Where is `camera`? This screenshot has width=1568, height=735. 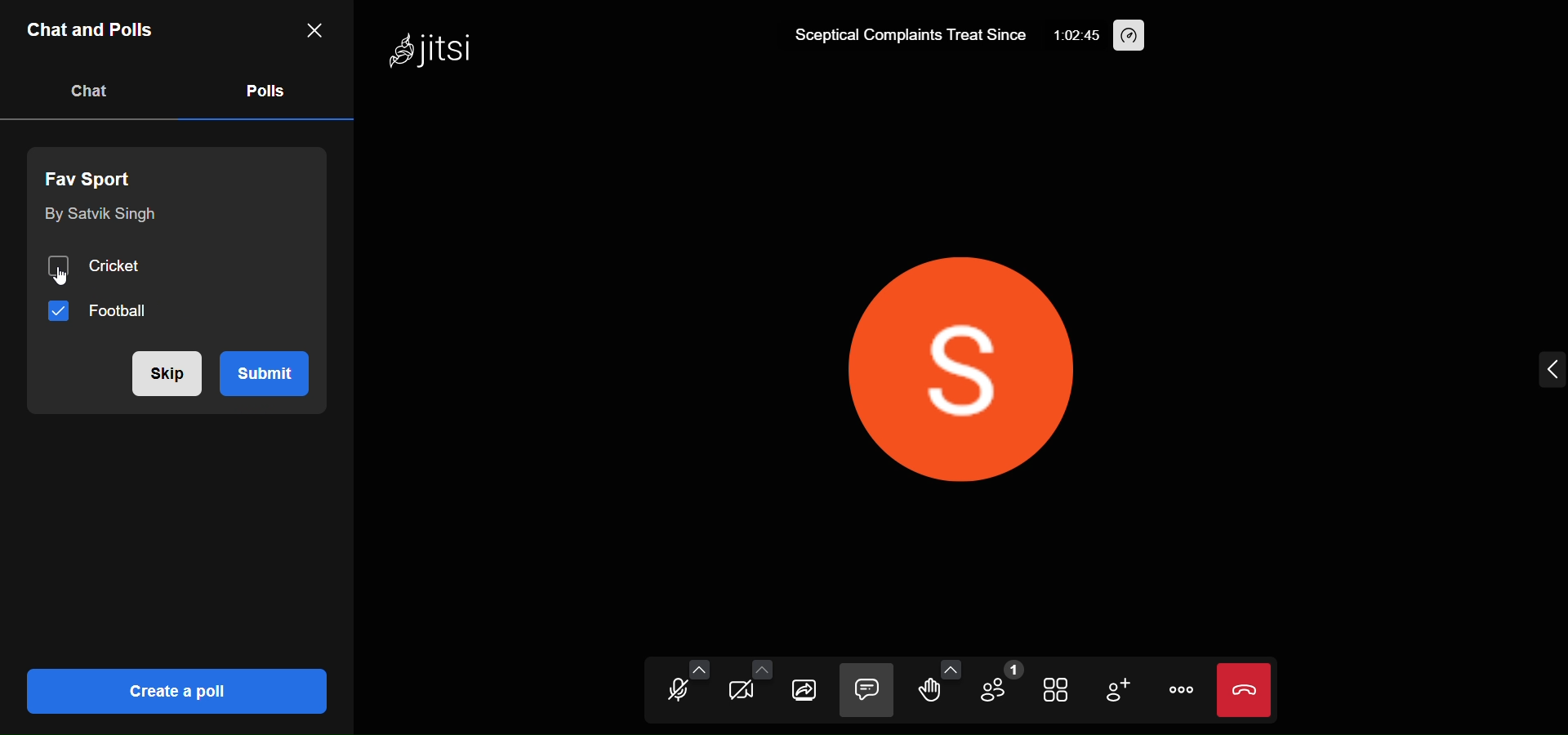 camera is located at coordinates (736, 693).